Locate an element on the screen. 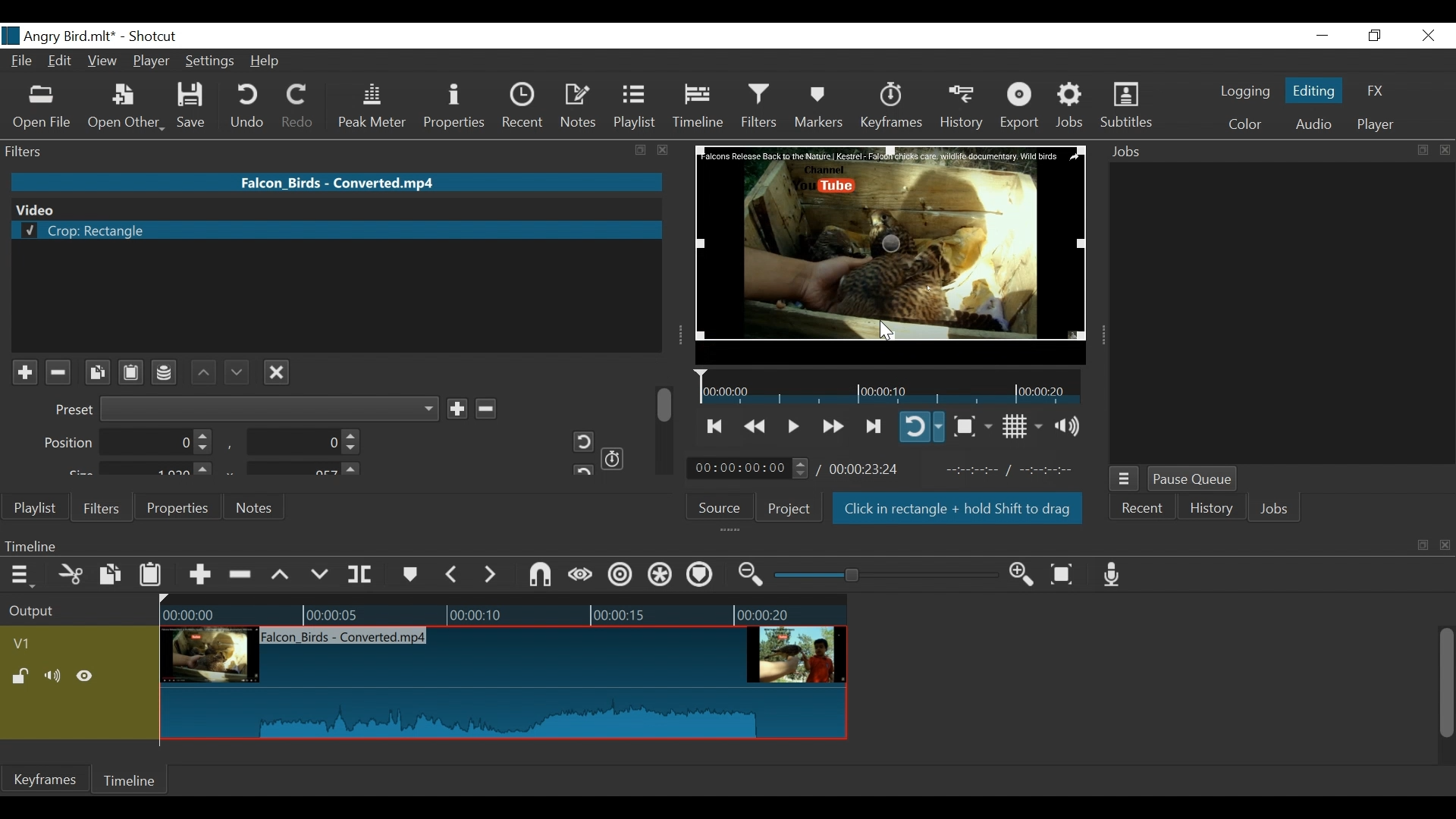  close is located at coordinates (664, 150).